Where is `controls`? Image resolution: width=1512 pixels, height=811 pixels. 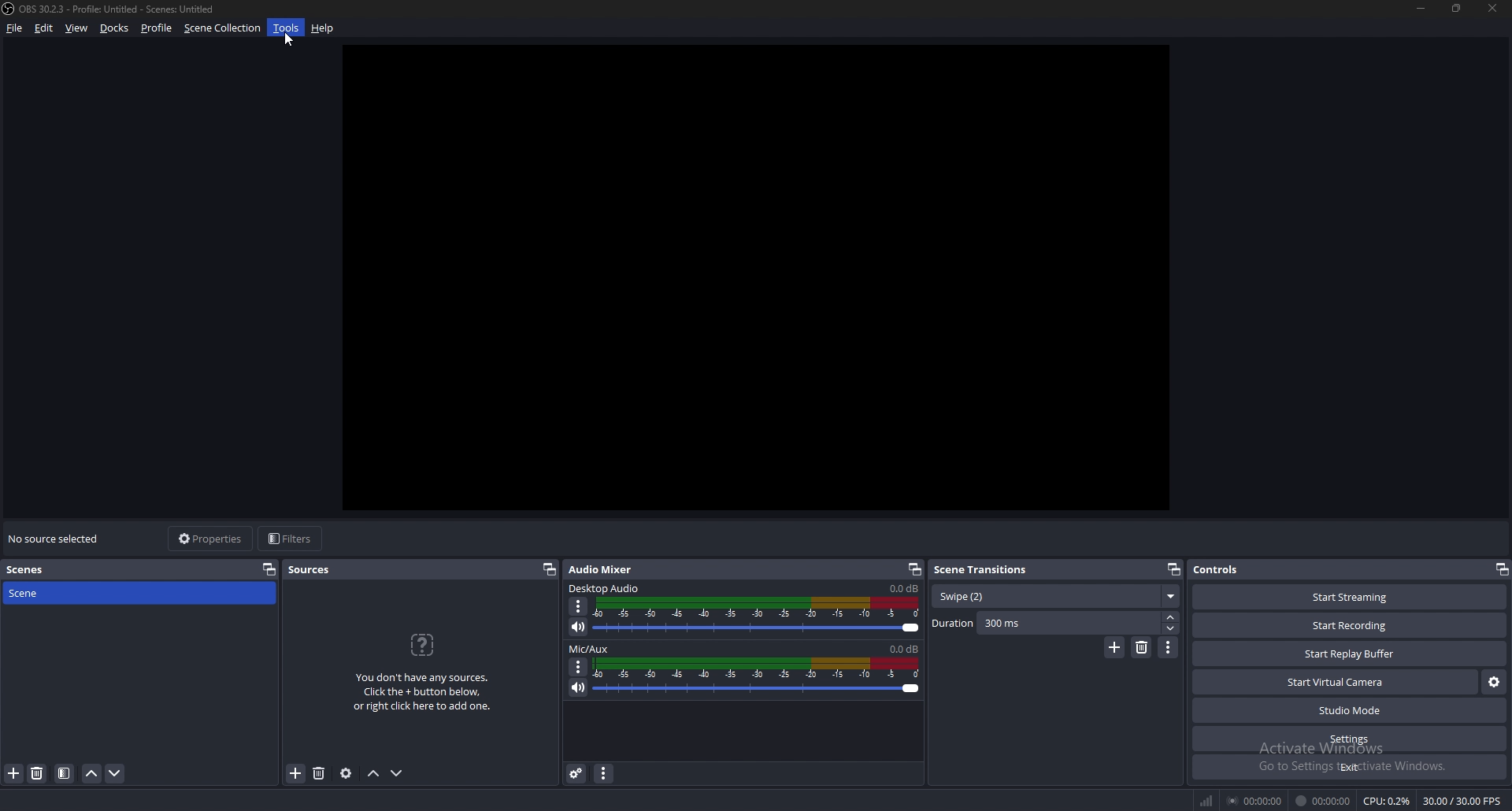
controls is located at coordinates (1232, 568).